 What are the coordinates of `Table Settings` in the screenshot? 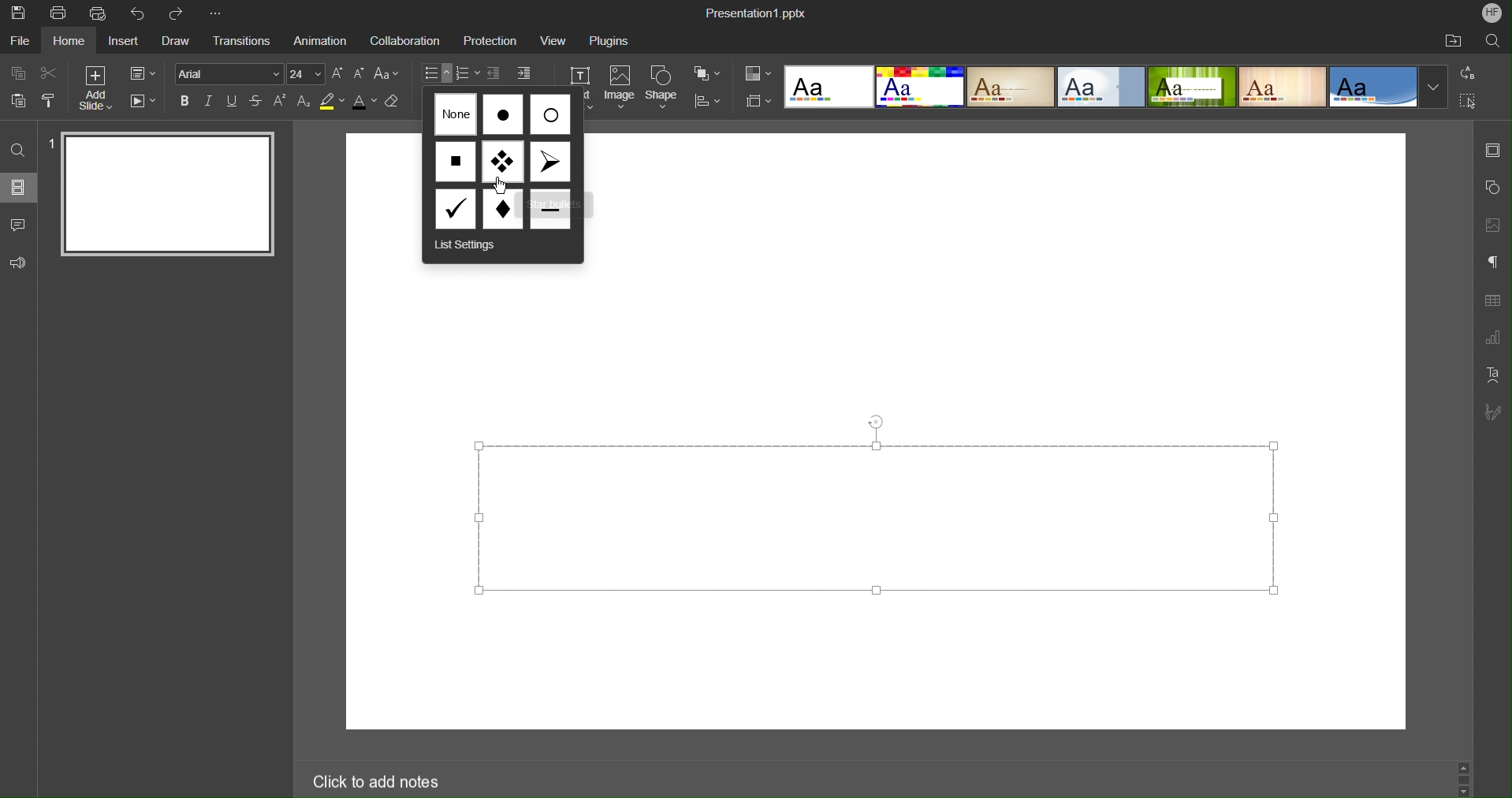 It's located at (1492, 300).